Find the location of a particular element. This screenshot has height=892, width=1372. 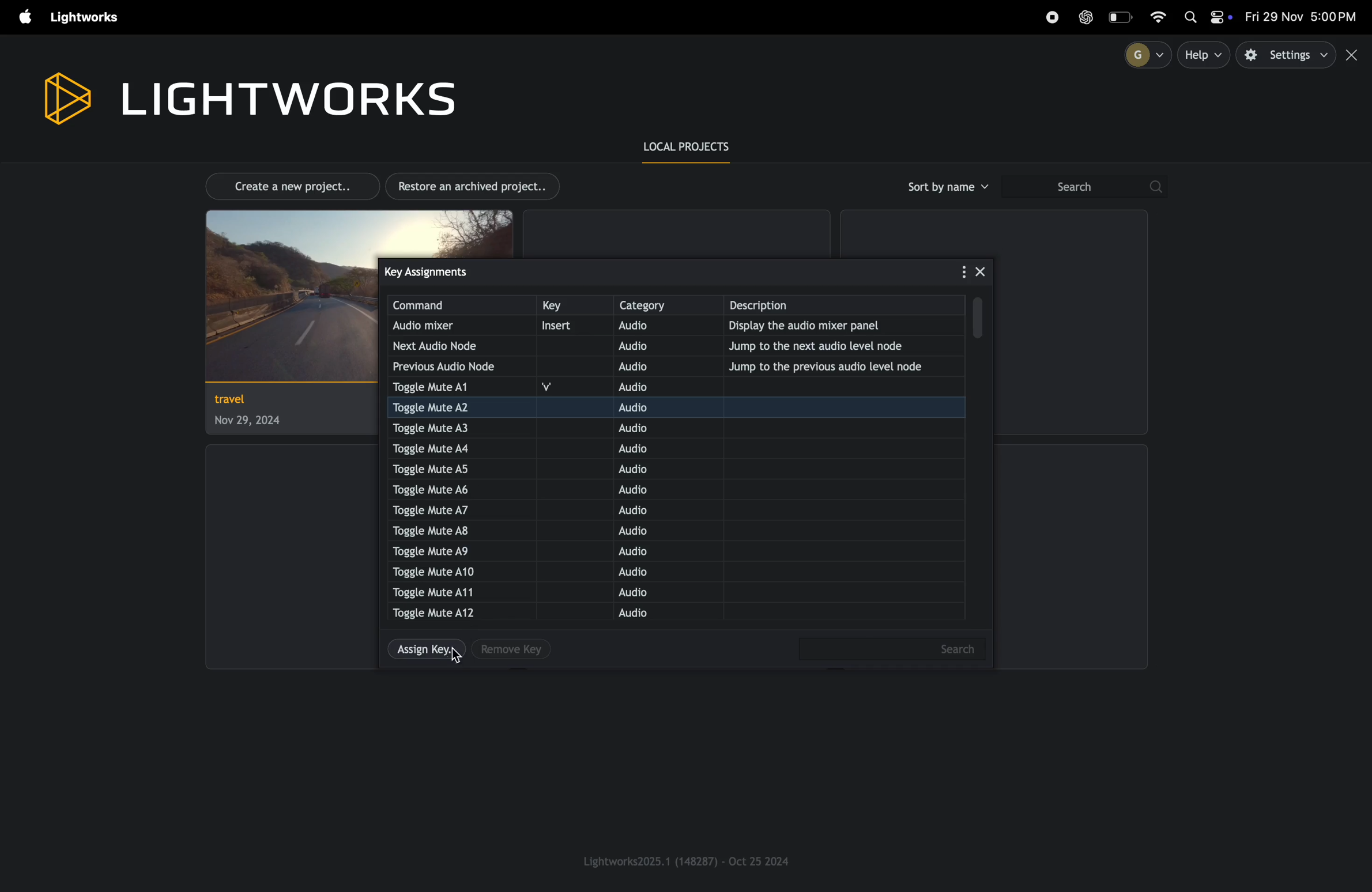

toggle ute A5 is located at coordinates (440, 468).